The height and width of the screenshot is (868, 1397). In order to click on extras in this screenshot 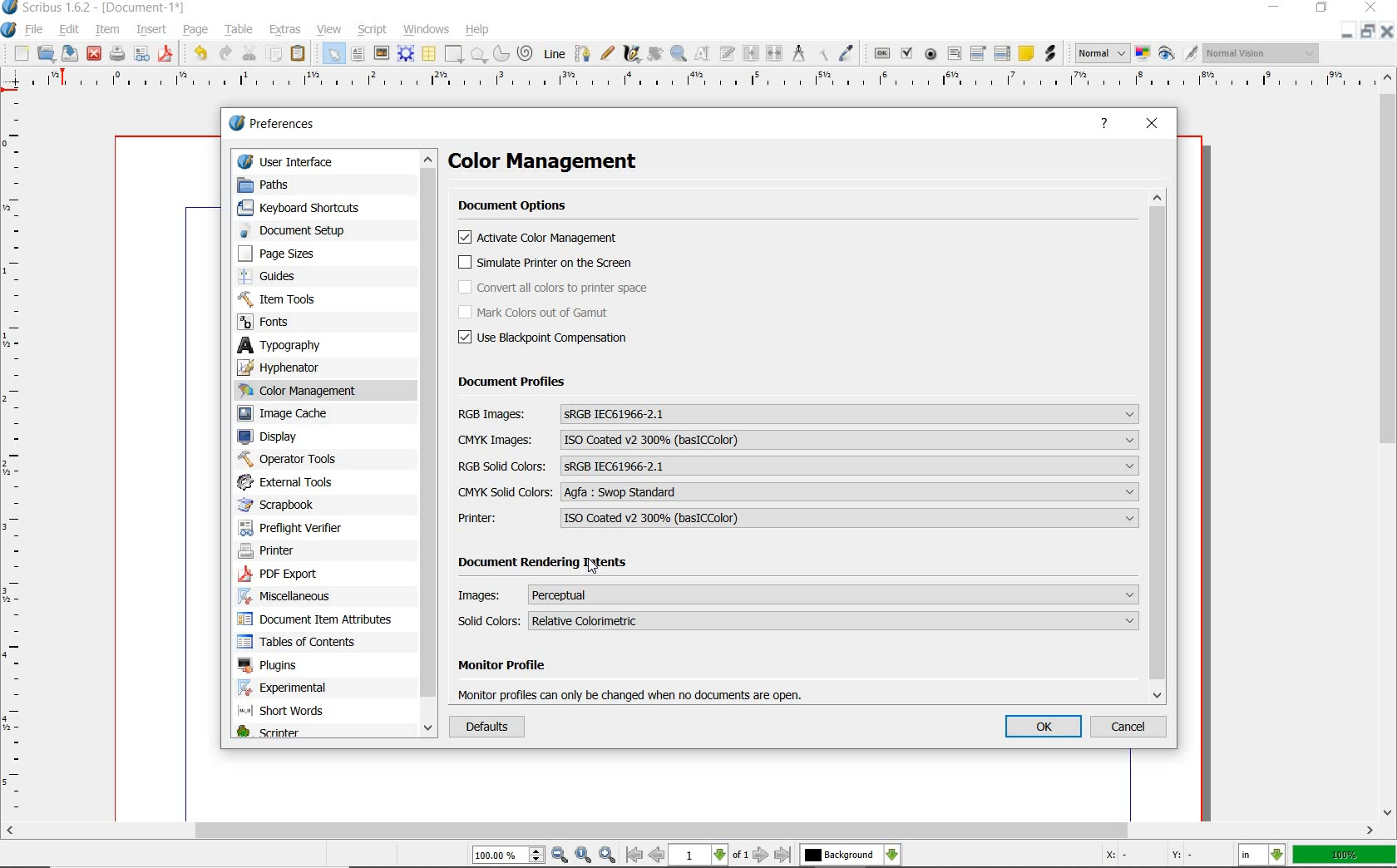, I will do `click(287, 30)`.